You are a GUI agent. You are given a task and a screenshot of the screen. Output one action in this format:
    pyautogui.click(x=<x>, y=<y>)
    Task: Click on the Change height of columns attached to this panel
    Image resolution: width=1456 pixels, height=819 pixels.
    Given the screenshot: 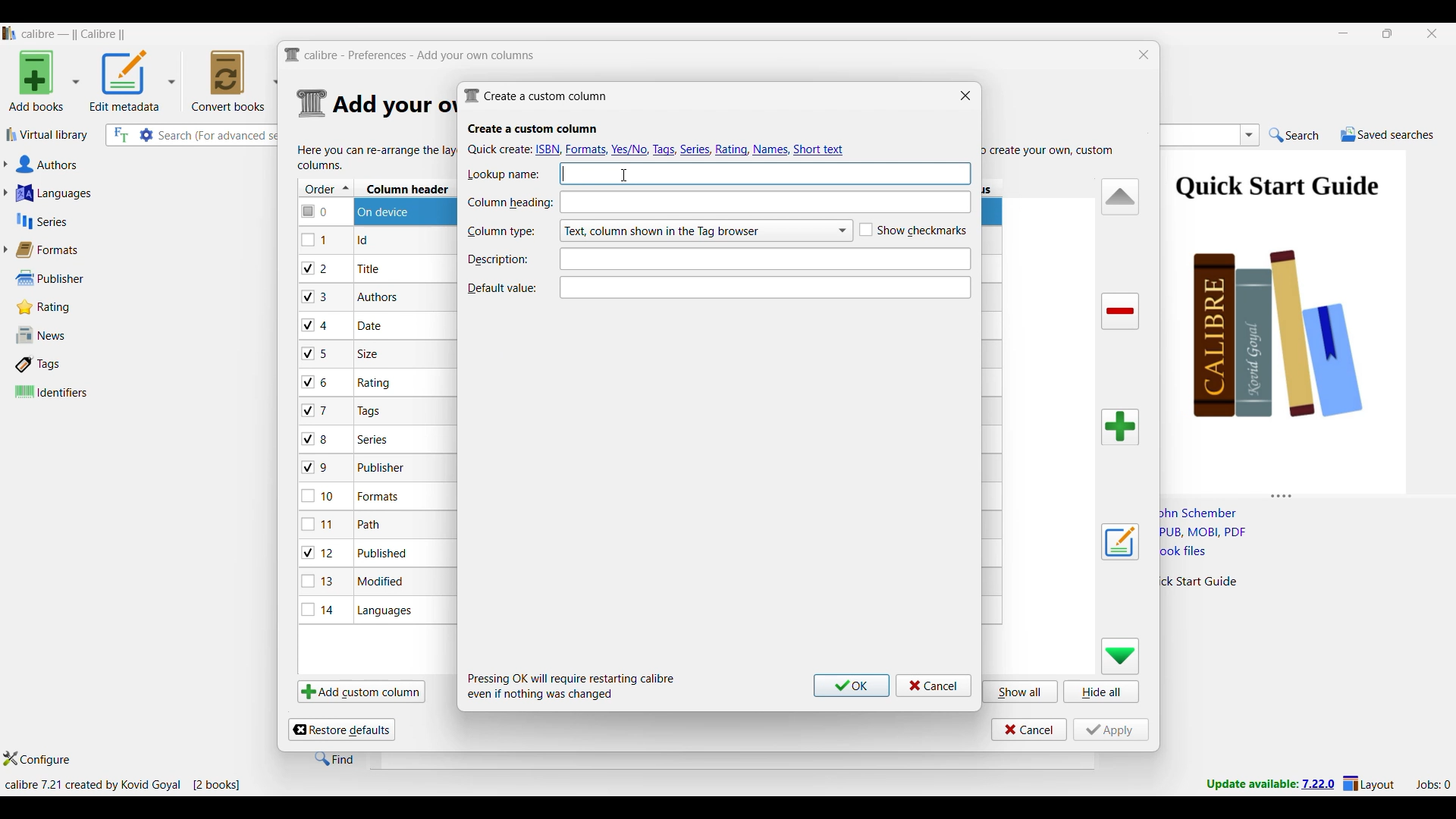 What is the action you would take?
    pyautogui.click(x=1307, y=493)
    